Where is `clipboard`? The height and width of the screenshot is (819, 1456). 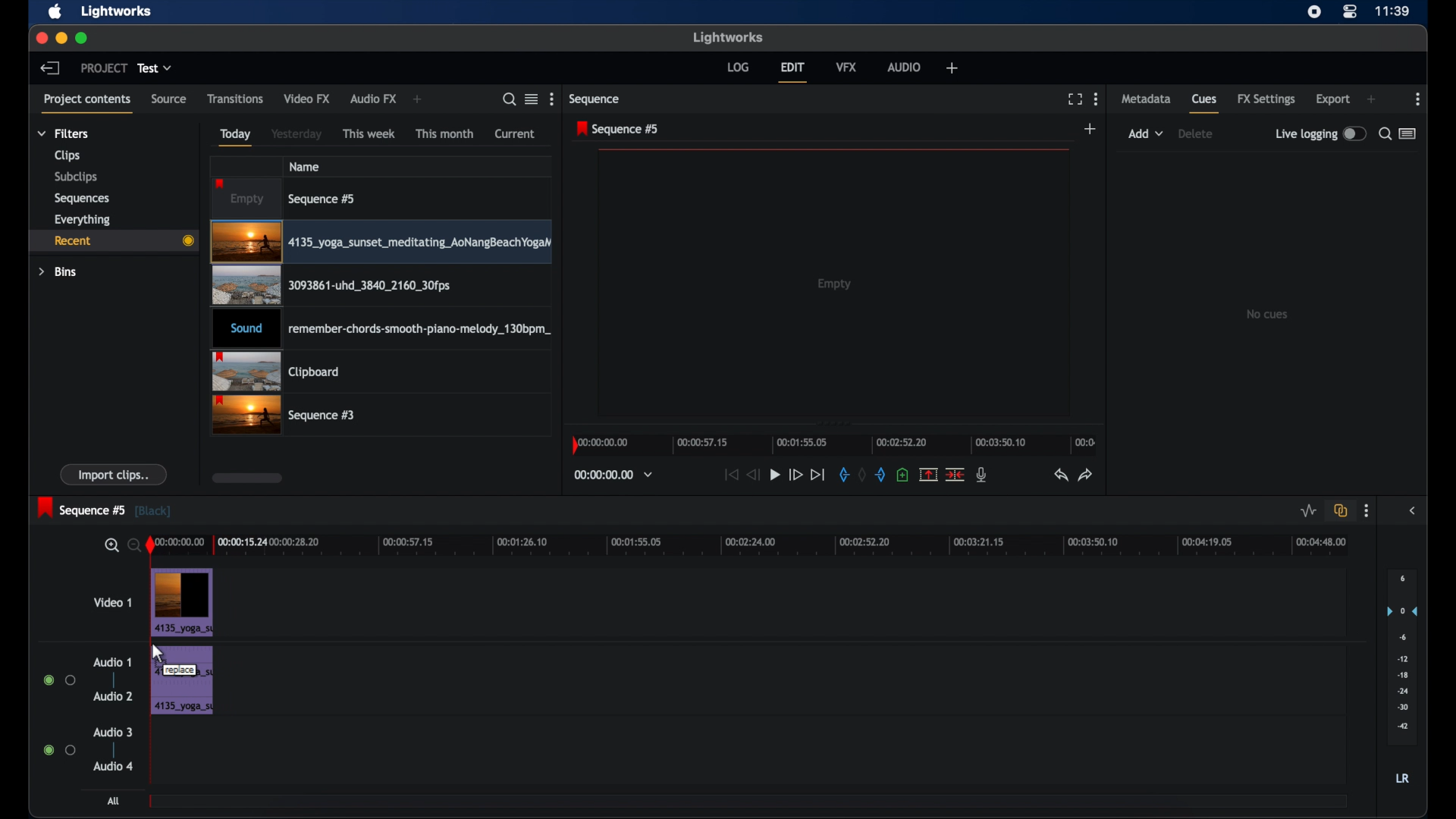 clipboard is located at coordinates (276, 371).